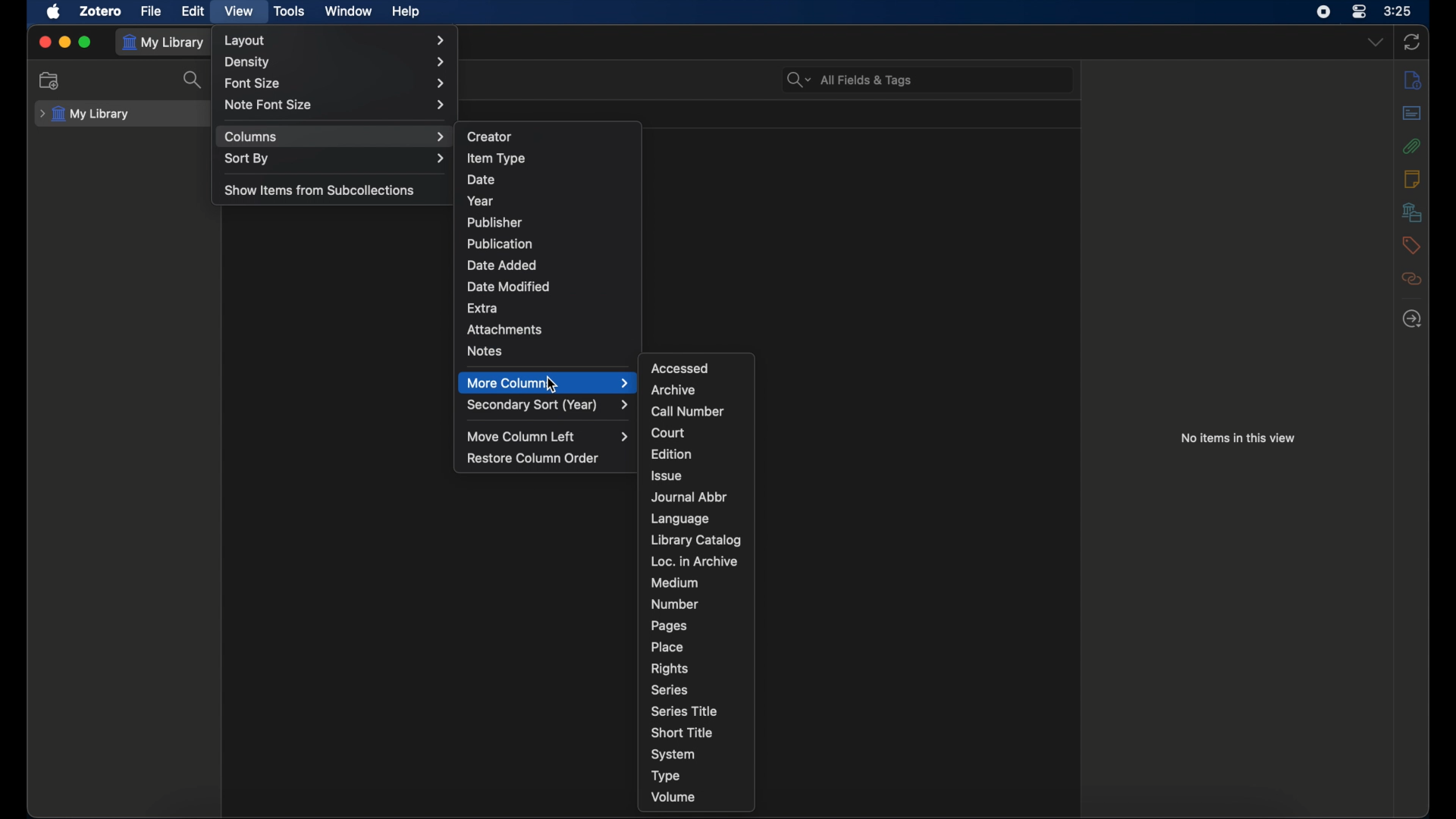 The image size is (1456, 819). What do you see at coordinates (669, 669) in the screenshot?
I see `rights` at bounding box center [669, 669].